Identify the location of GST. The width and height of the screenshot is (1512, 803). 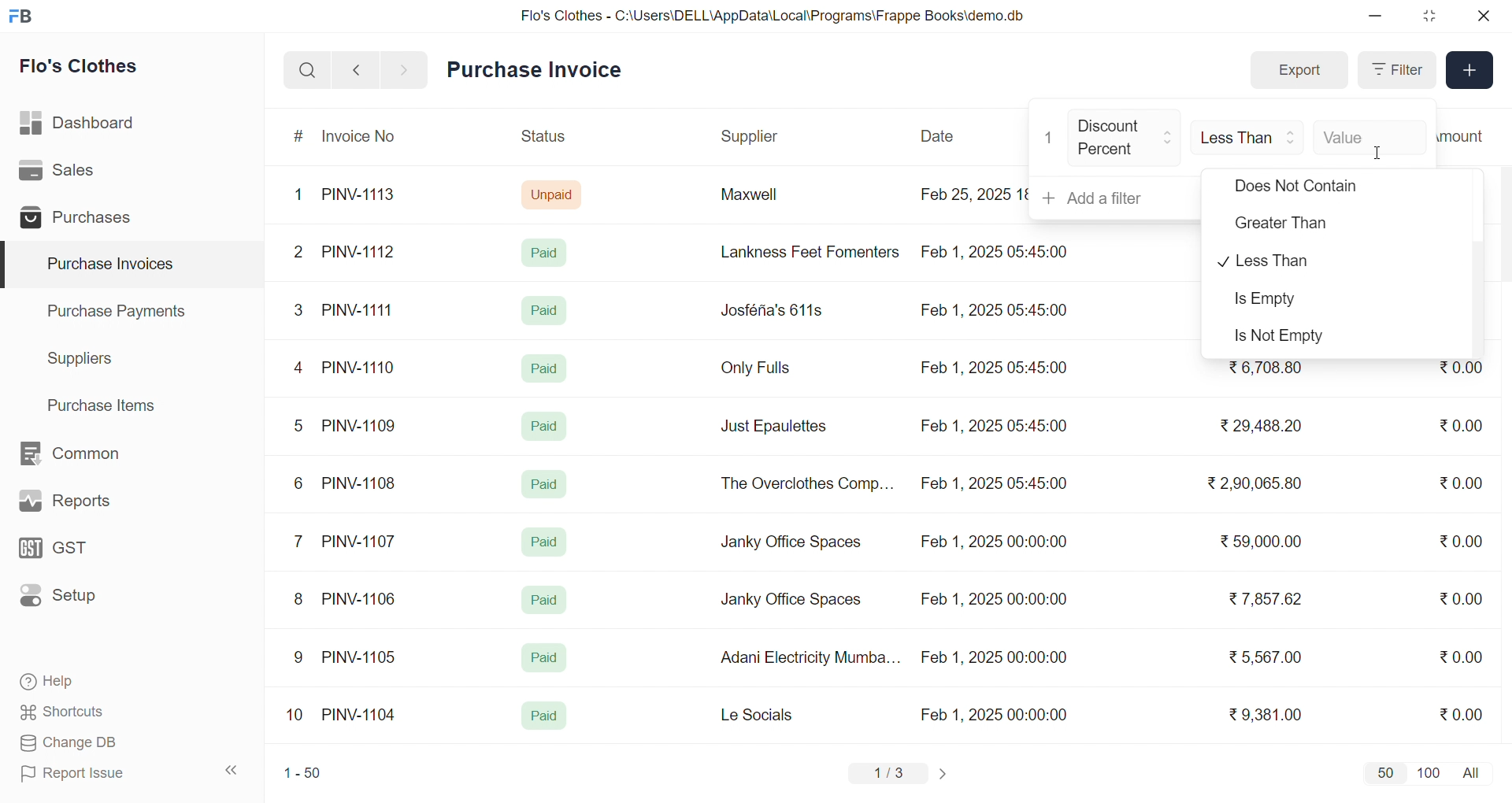
(82, 553).